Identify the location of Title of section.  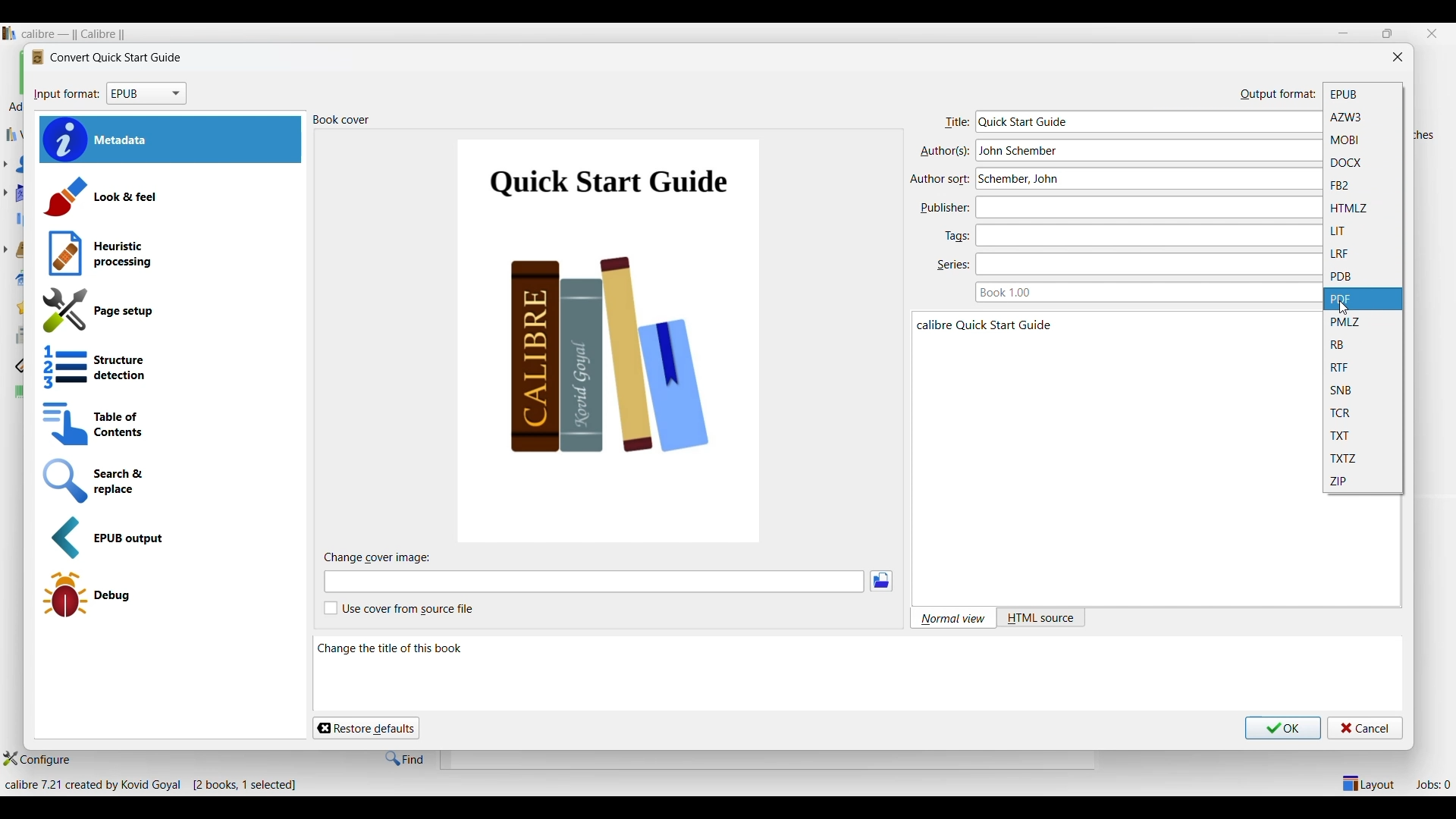
(341, 119).